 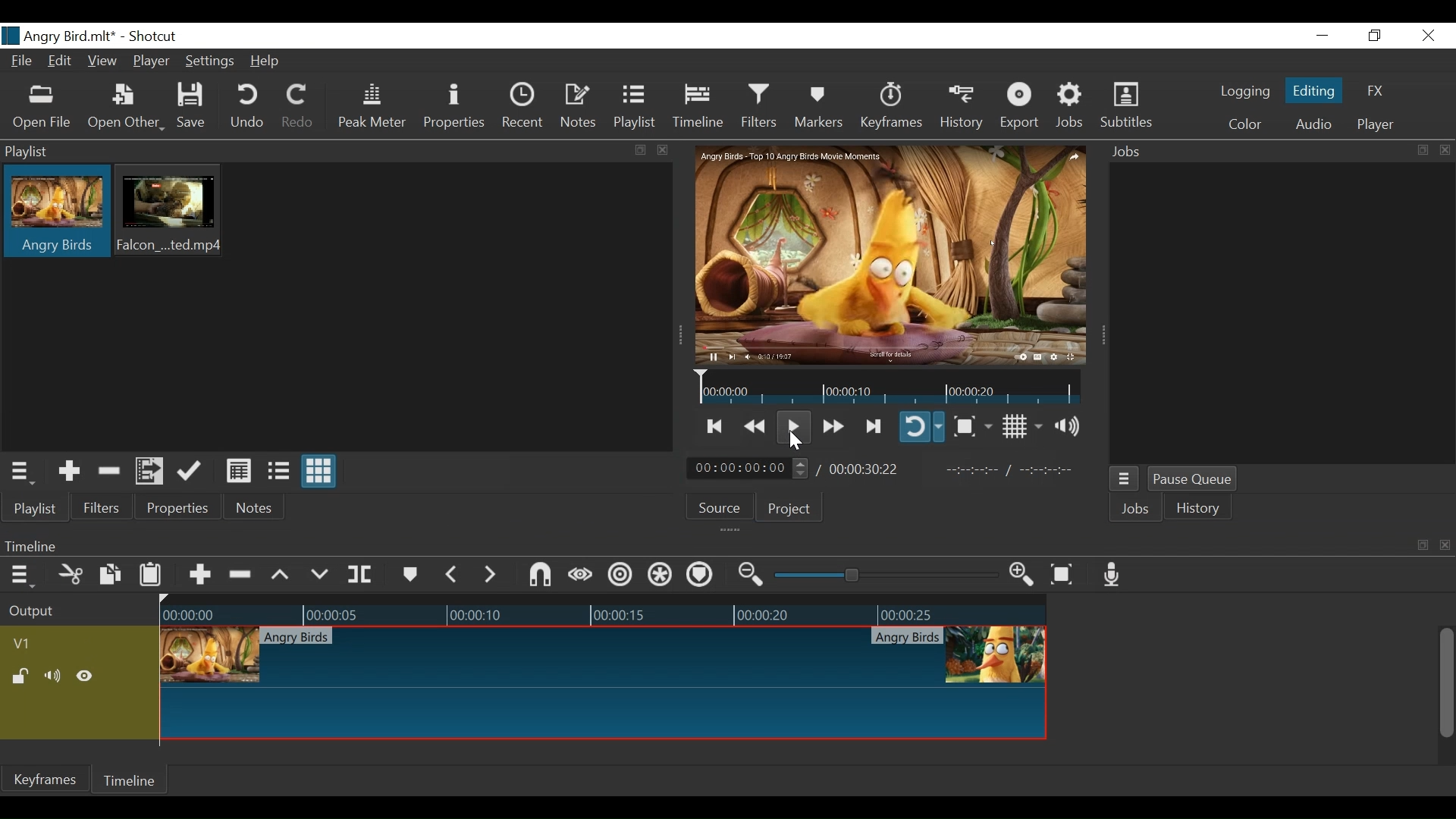 What do you see at coordinates (1126, 478) in the screenshot?
I see `Jobs menu` at bounding box center [1126, 478].